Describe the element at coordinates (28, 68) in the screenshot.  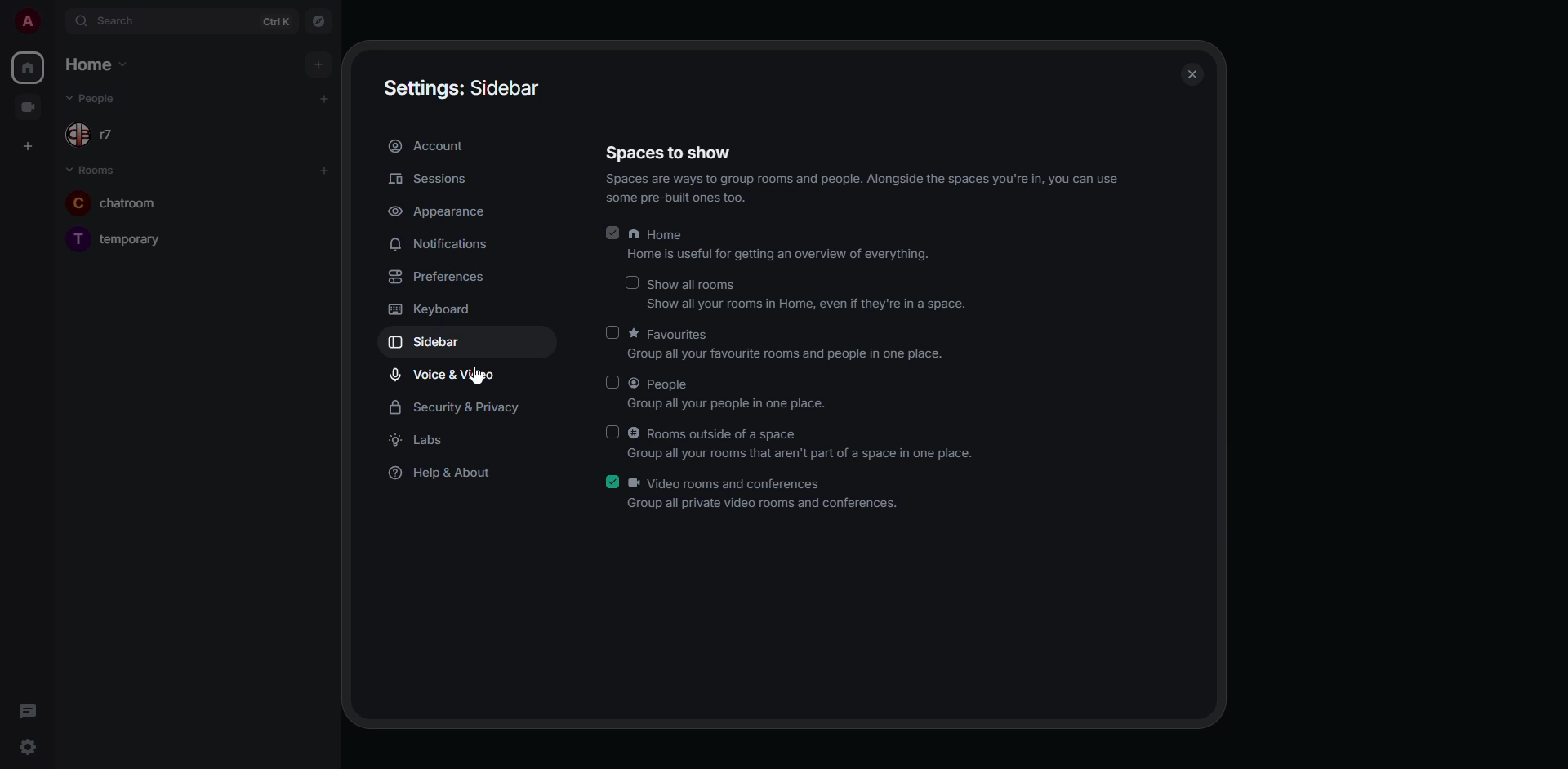
I see `home` at that location.